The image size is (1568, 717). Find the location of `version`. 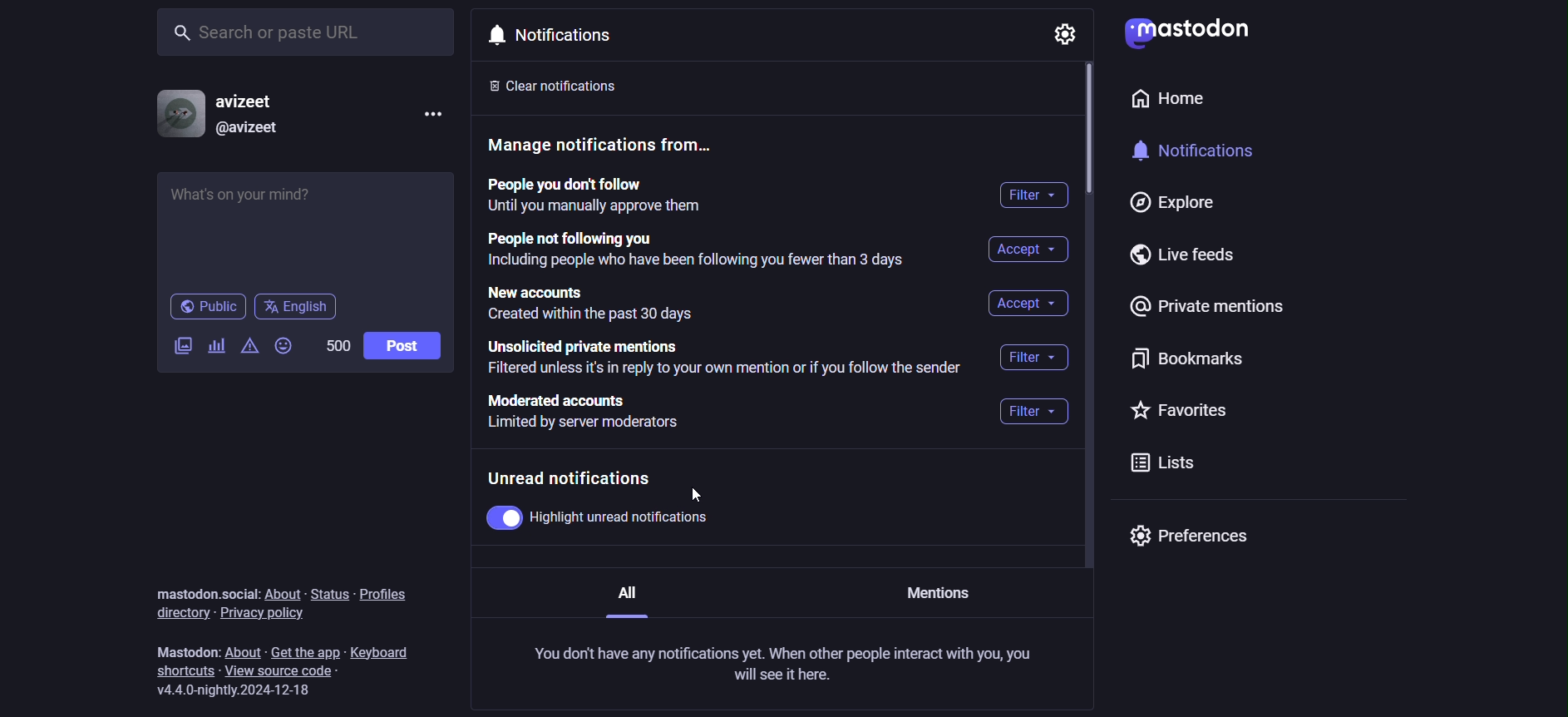

version is located at coordinates (235, 690).